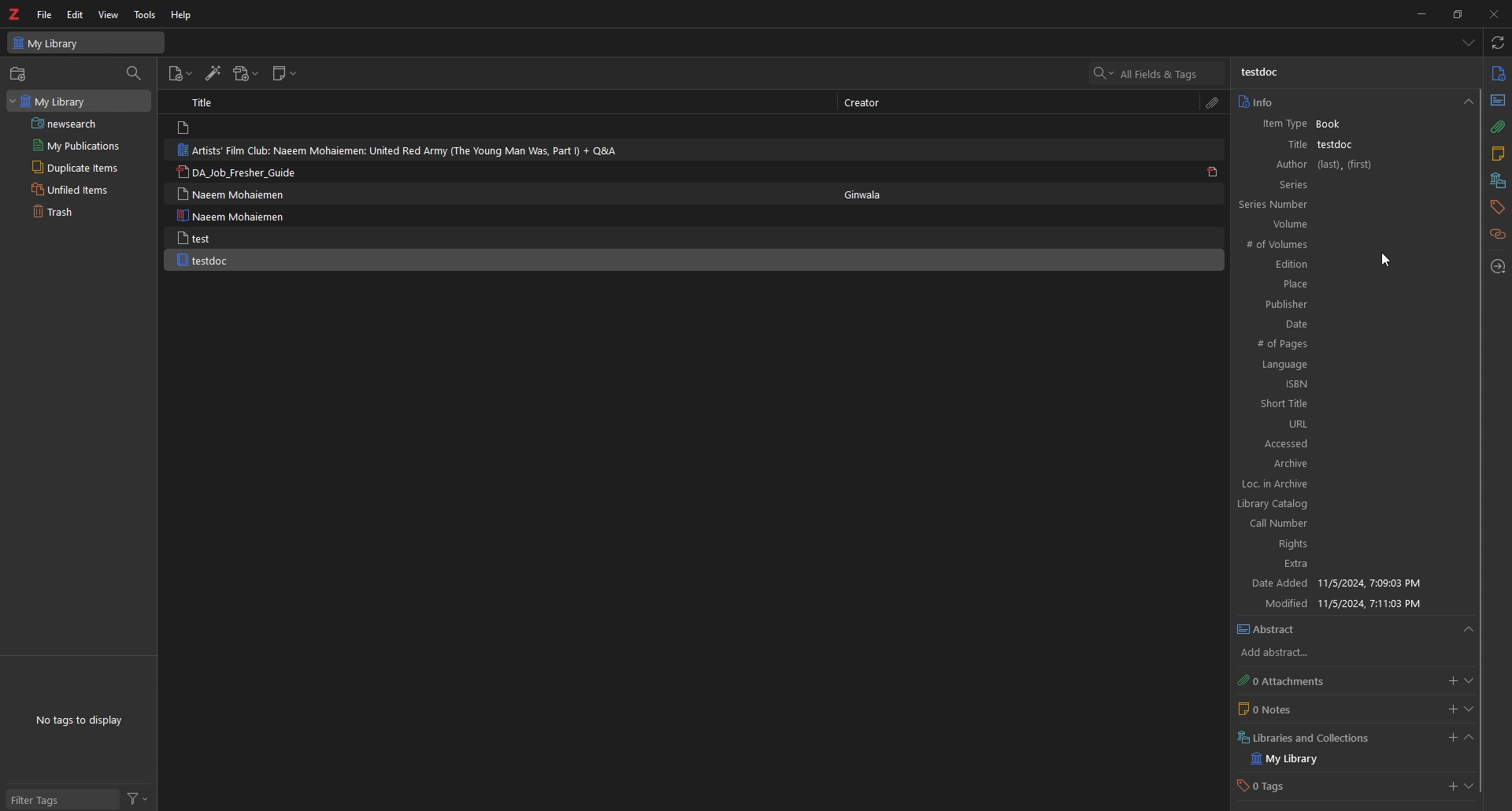 This screenshot has width=1512, height=811. Describe the element at coordinates (239, 172) in the screenshot. I see `DA_Job_Fresher_Guide` at that location.